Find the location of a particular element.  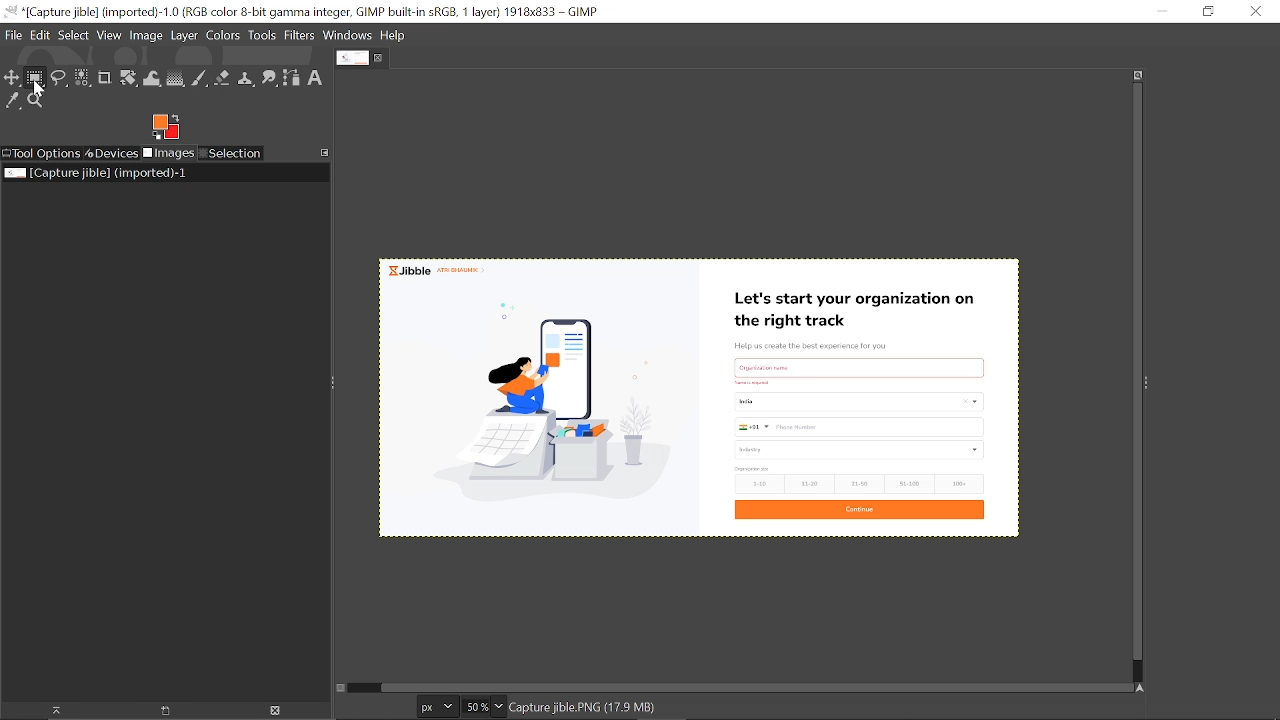

Close  is located at coordinates (1257, 11).